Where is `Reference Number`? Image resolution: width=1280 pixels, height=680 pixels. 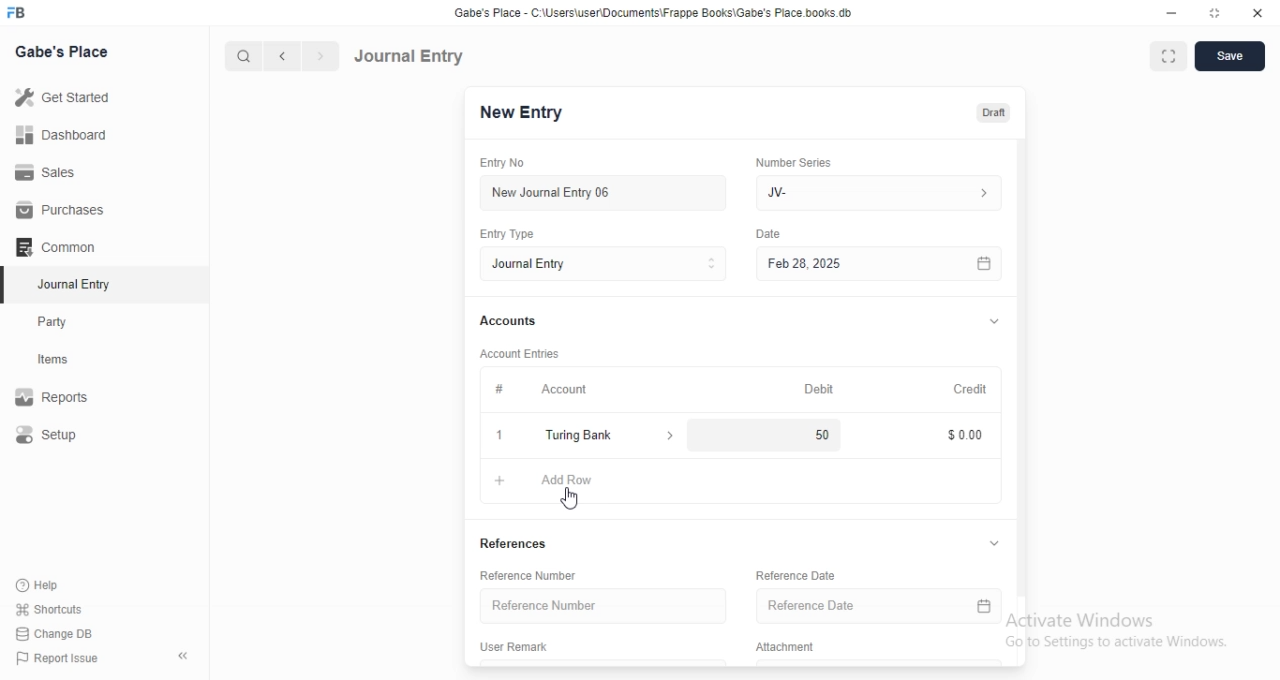 Reference Number is located at coordinates (598, 606).